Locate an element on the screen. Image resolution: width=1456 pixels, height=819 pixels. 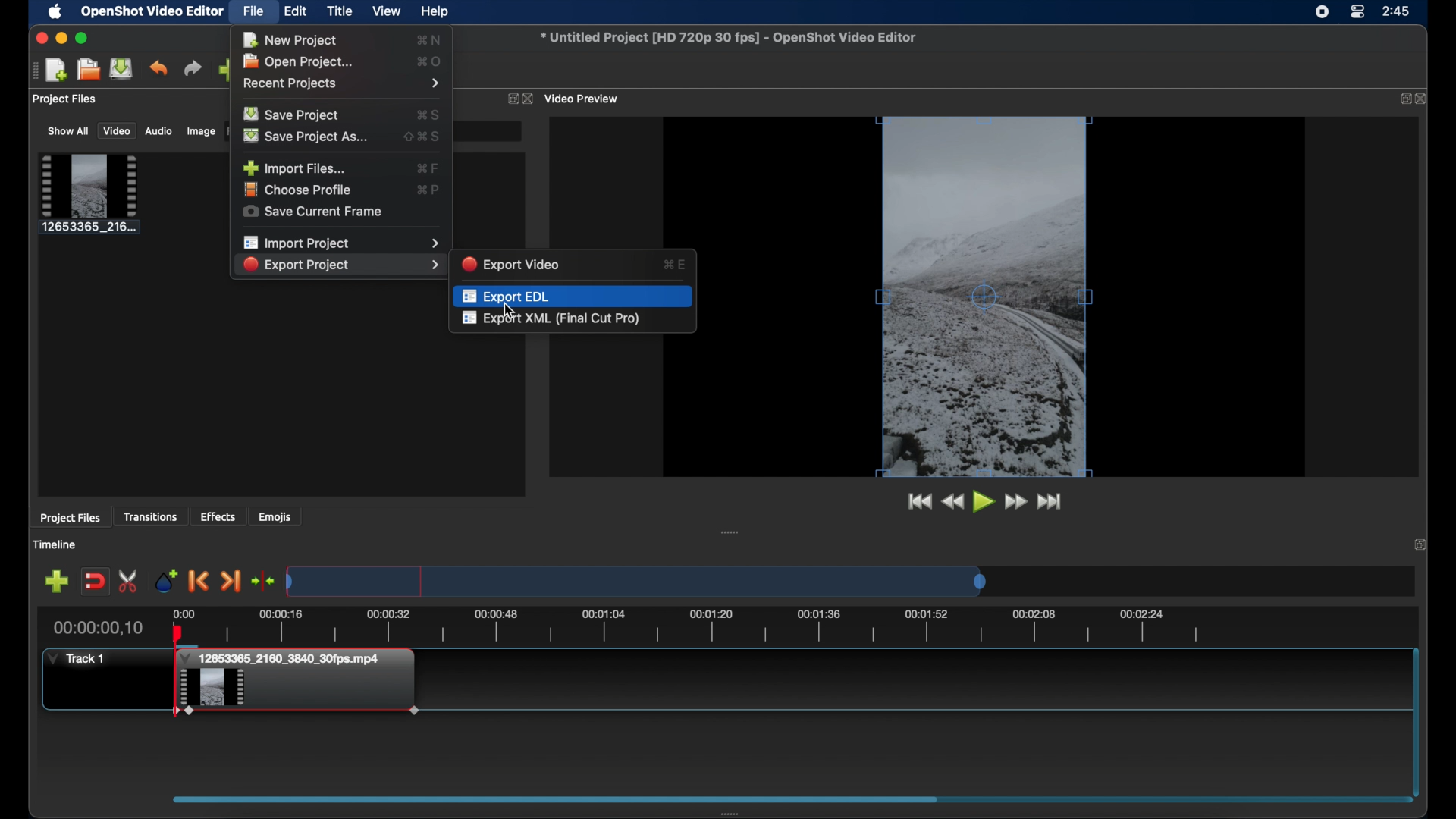
drag handle is located at coordinates (31, 71).